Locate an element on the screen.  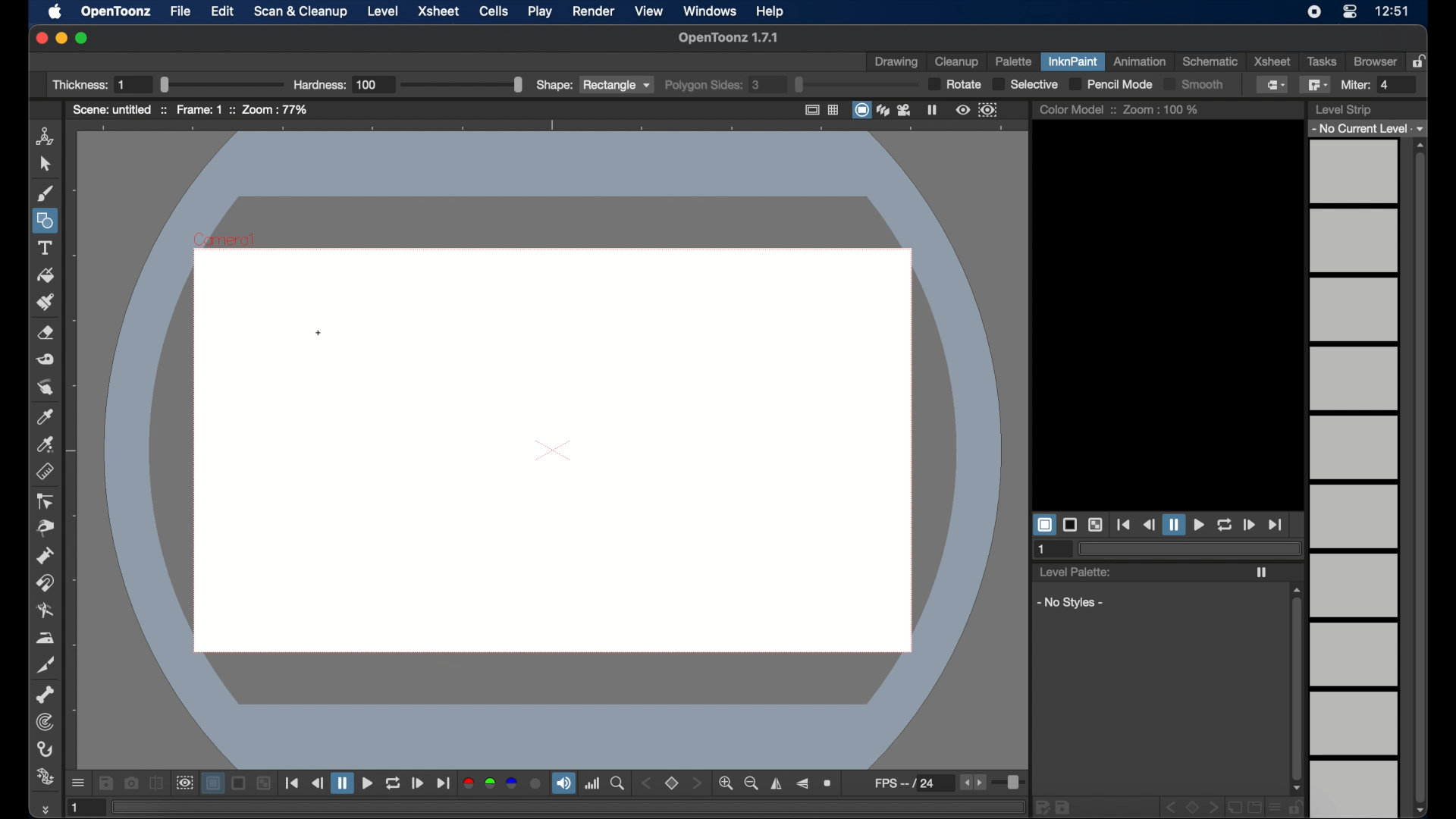
rotate is located at coordinates (955, 85).